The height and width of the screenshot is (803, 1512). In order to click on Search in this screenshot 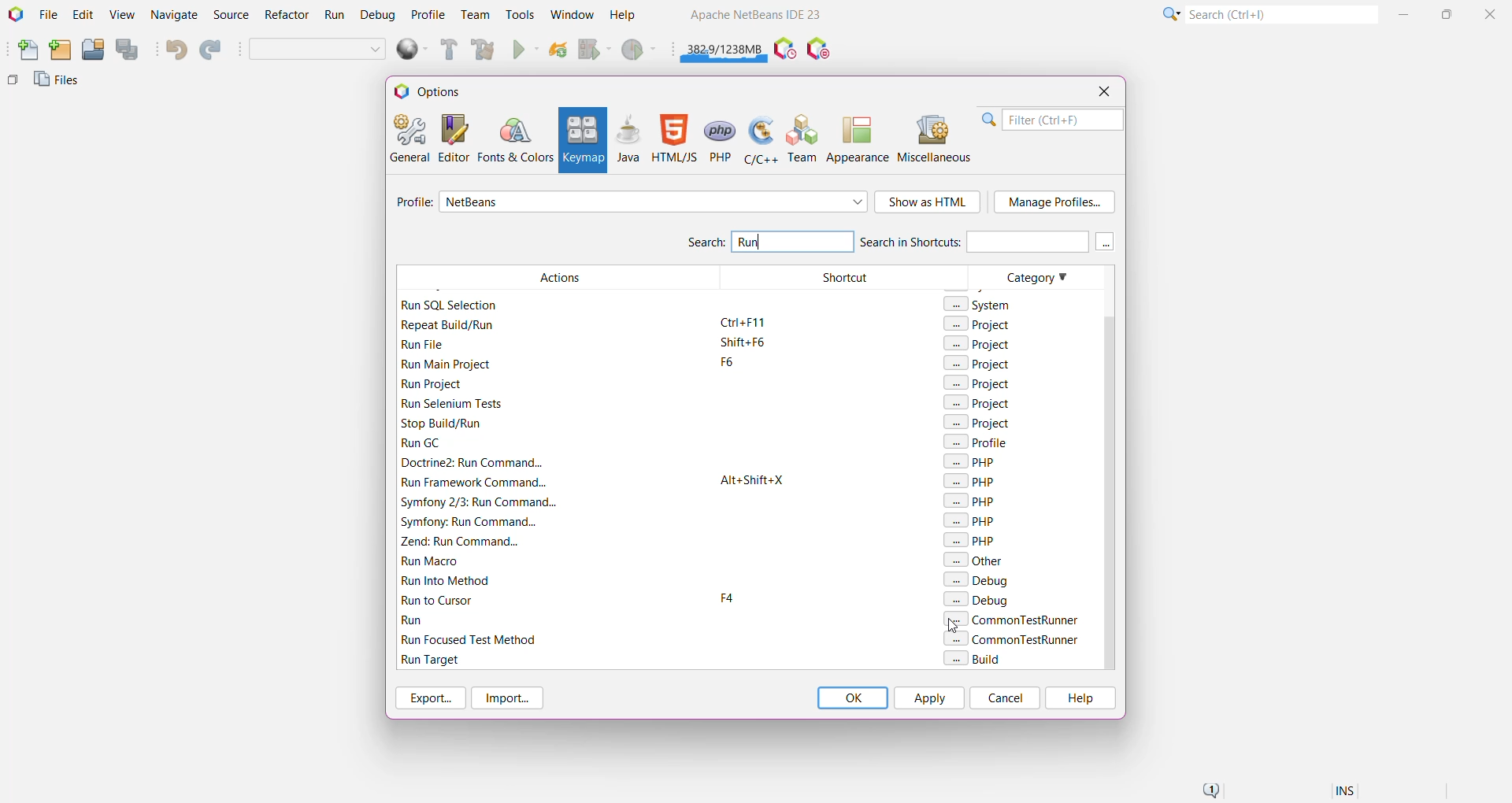, I will do `click(1280, 13)`.